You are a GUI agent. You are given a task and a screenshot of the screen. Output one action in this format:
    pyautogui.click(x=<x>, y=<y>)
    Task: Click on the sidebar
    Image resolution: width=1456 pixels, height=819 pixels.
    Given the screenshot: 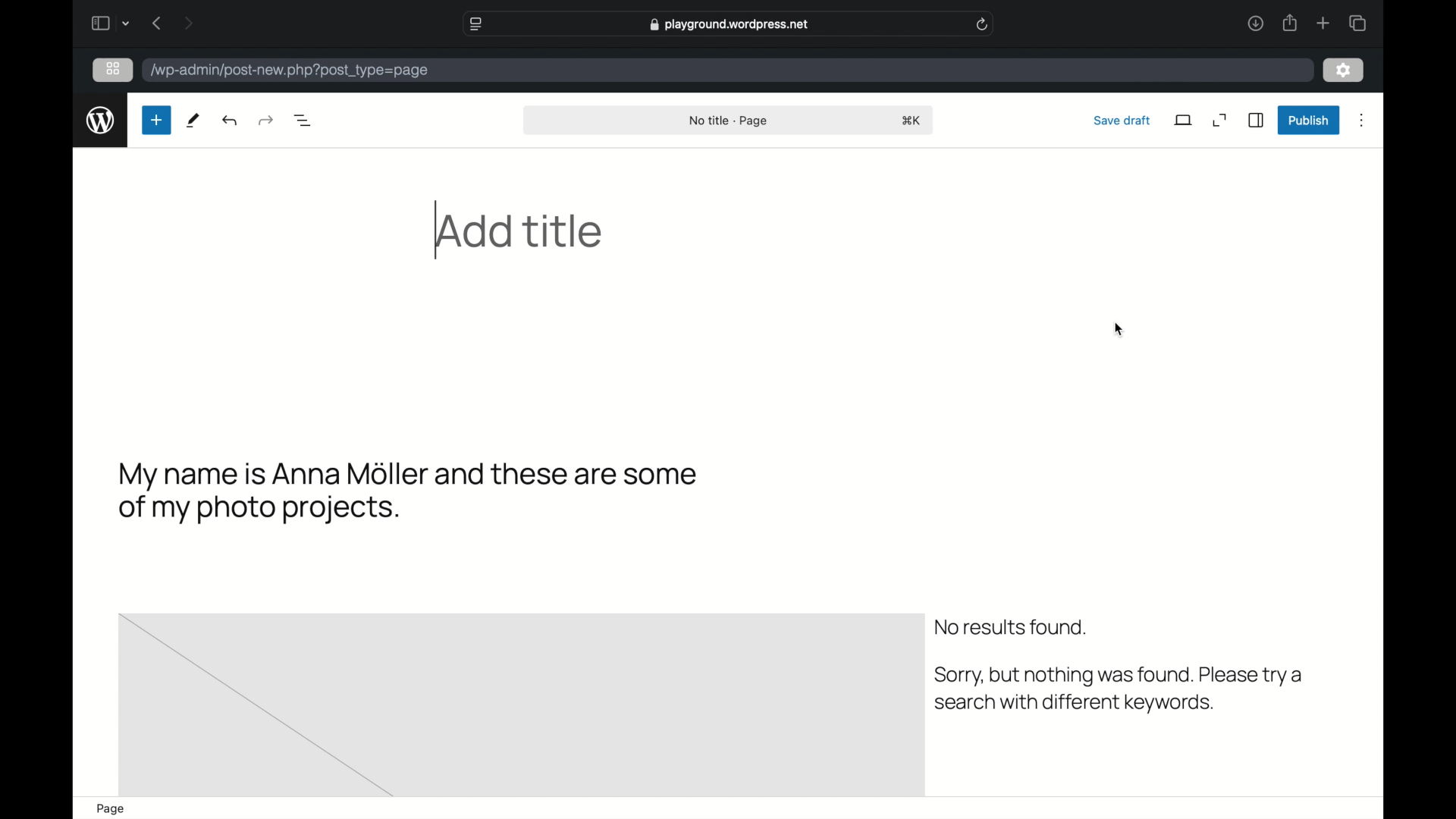 What is the action you would take?
    pyautogui.click(x=99, y=23)
    